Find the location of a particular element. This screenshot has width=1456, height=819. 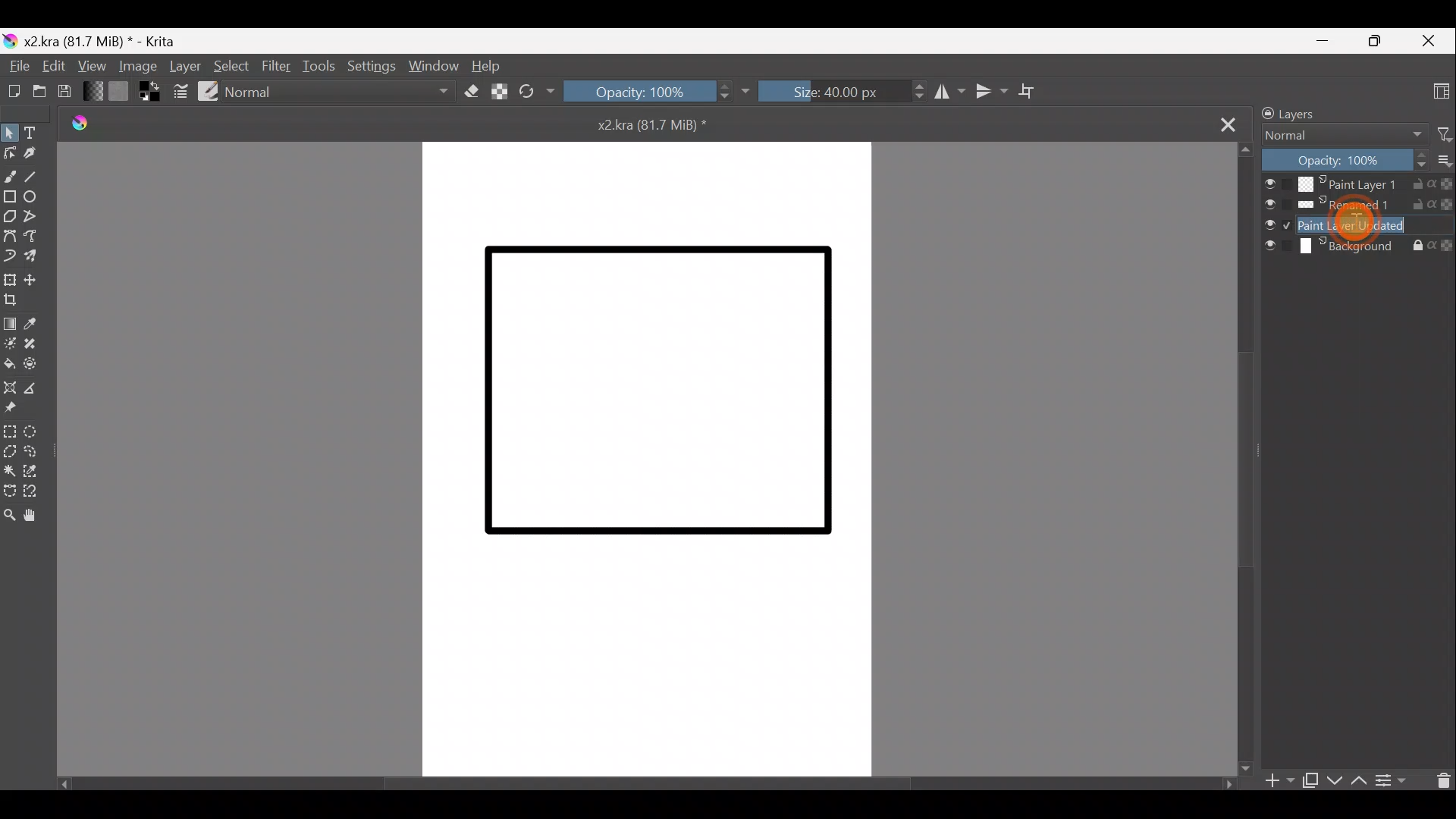

Layers is located at coordinates (1314, 114).